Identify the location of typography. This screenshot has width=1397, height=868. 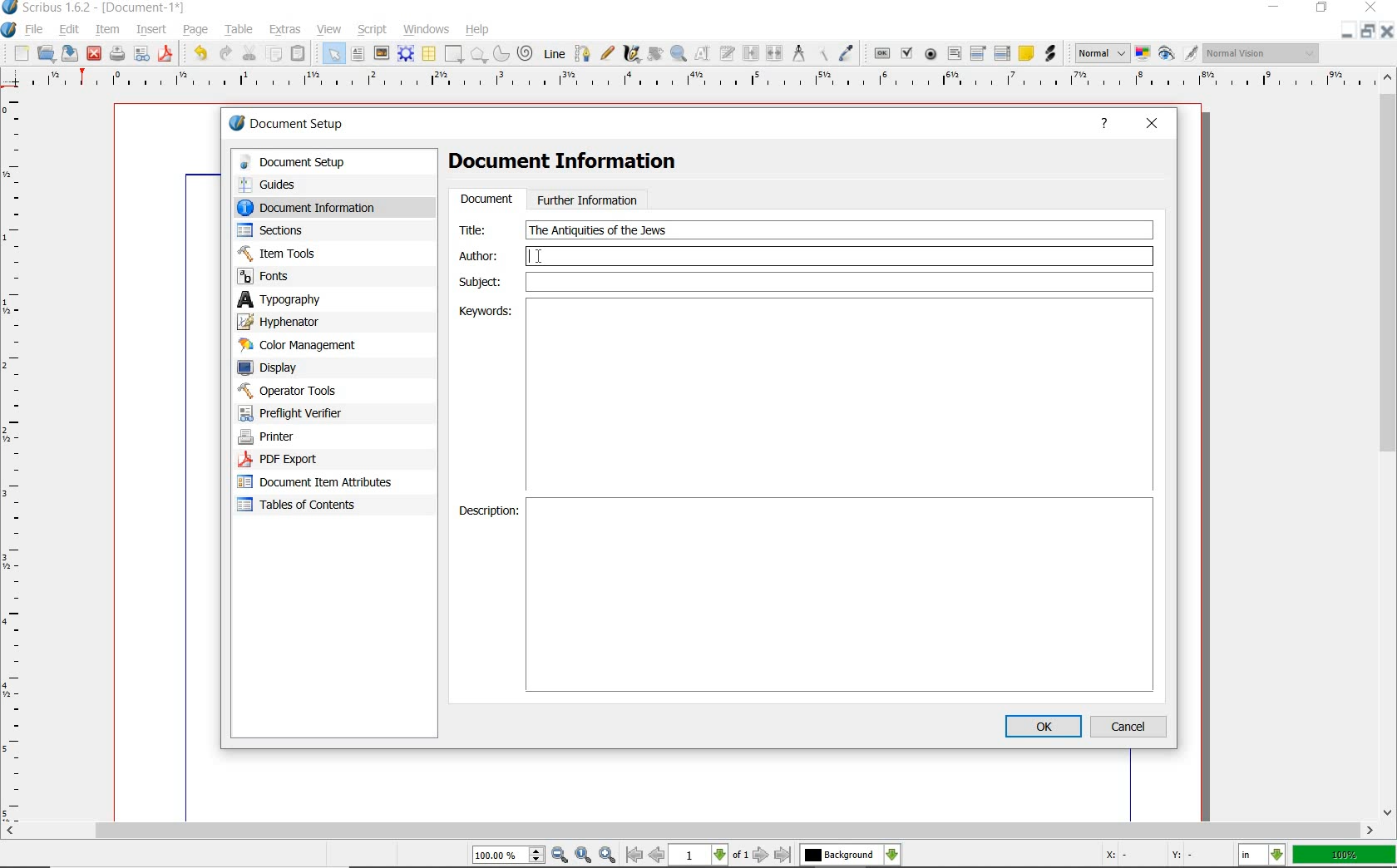
(303, 299).